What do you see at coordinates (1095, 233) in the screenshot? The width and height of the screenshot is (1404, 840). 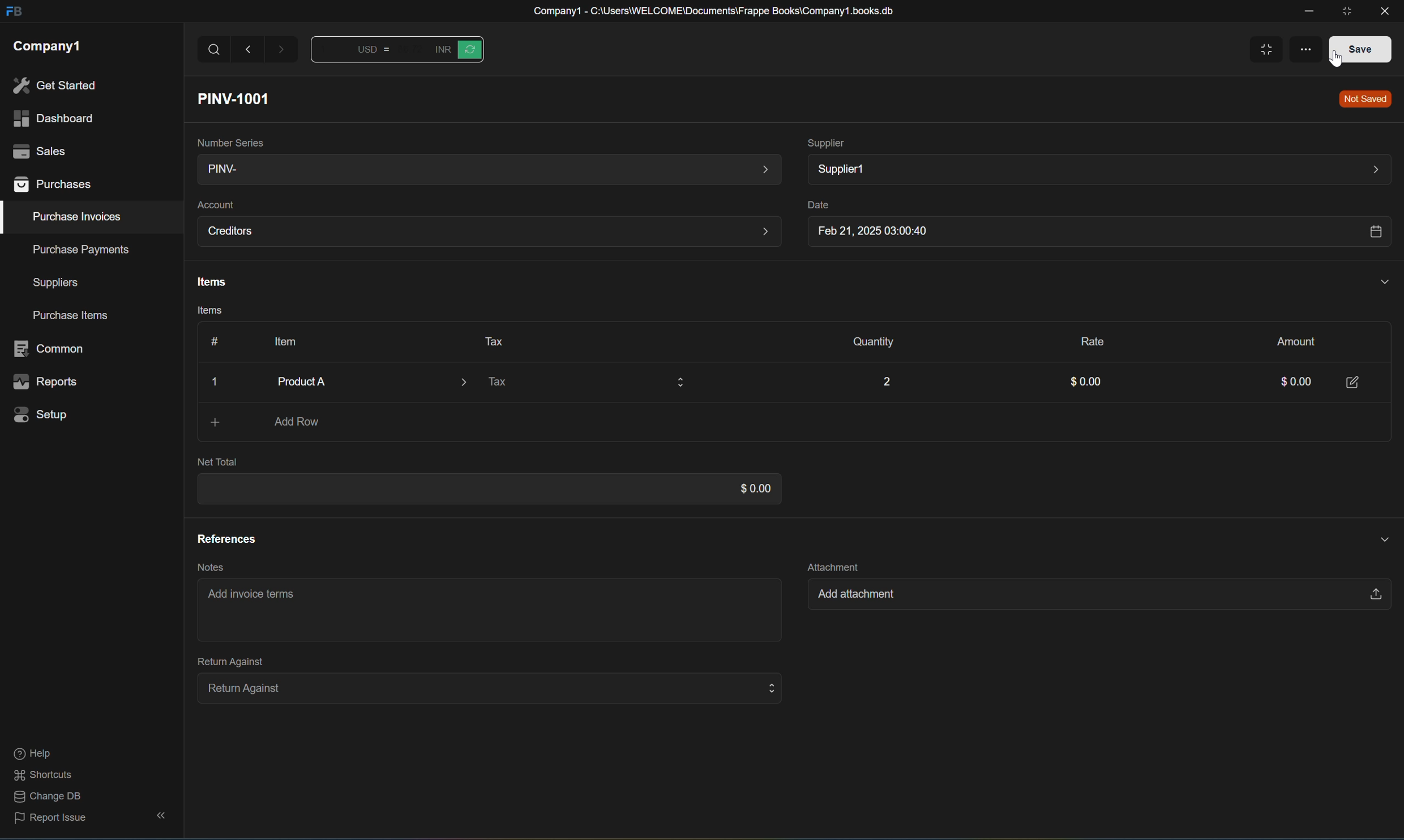 I see `Feb 21, 2025 03:00:40` at bounding box center [1095, 233].